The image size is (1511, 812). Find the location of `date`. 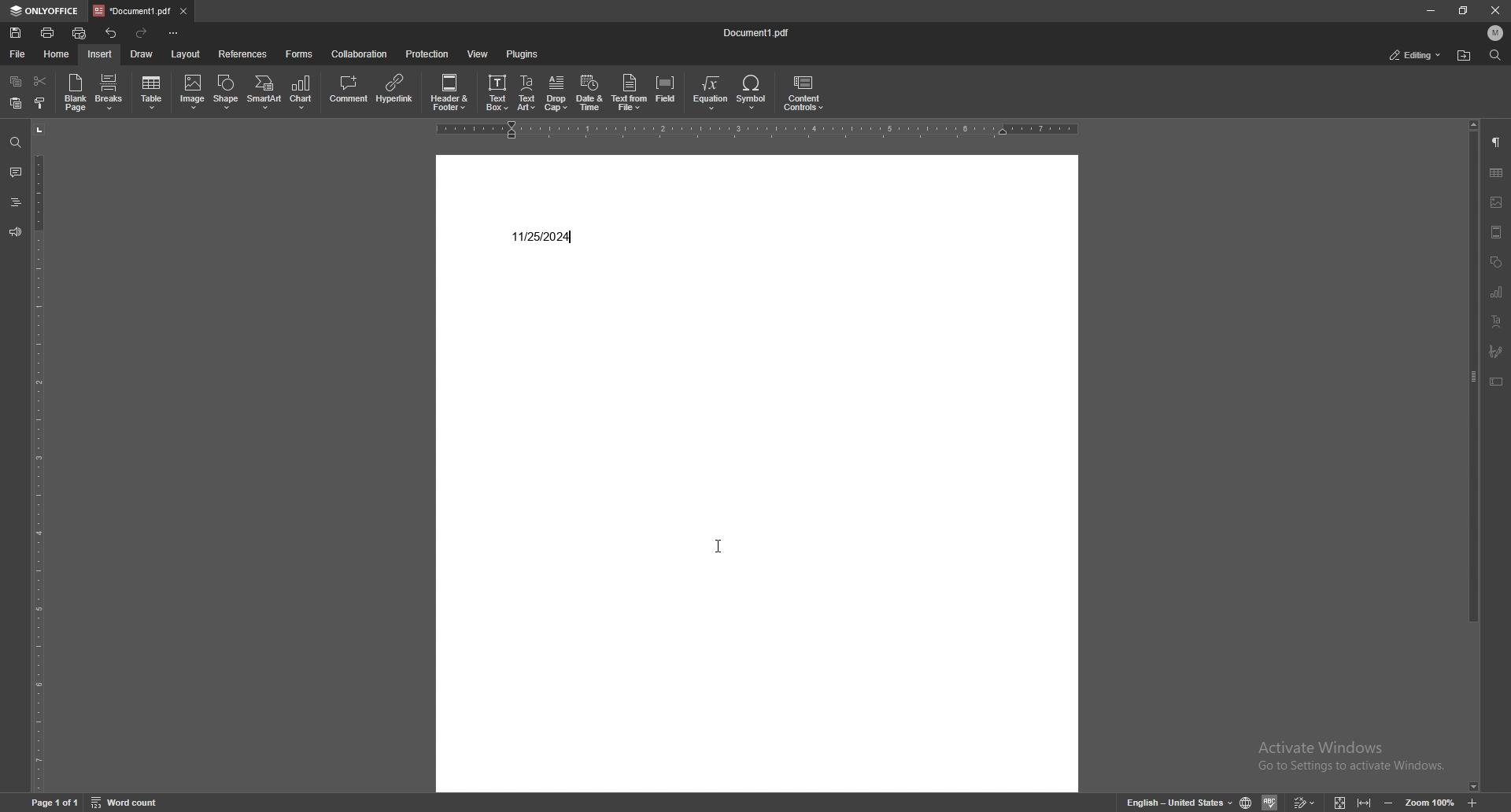

date is located at coordinates (549, 235).